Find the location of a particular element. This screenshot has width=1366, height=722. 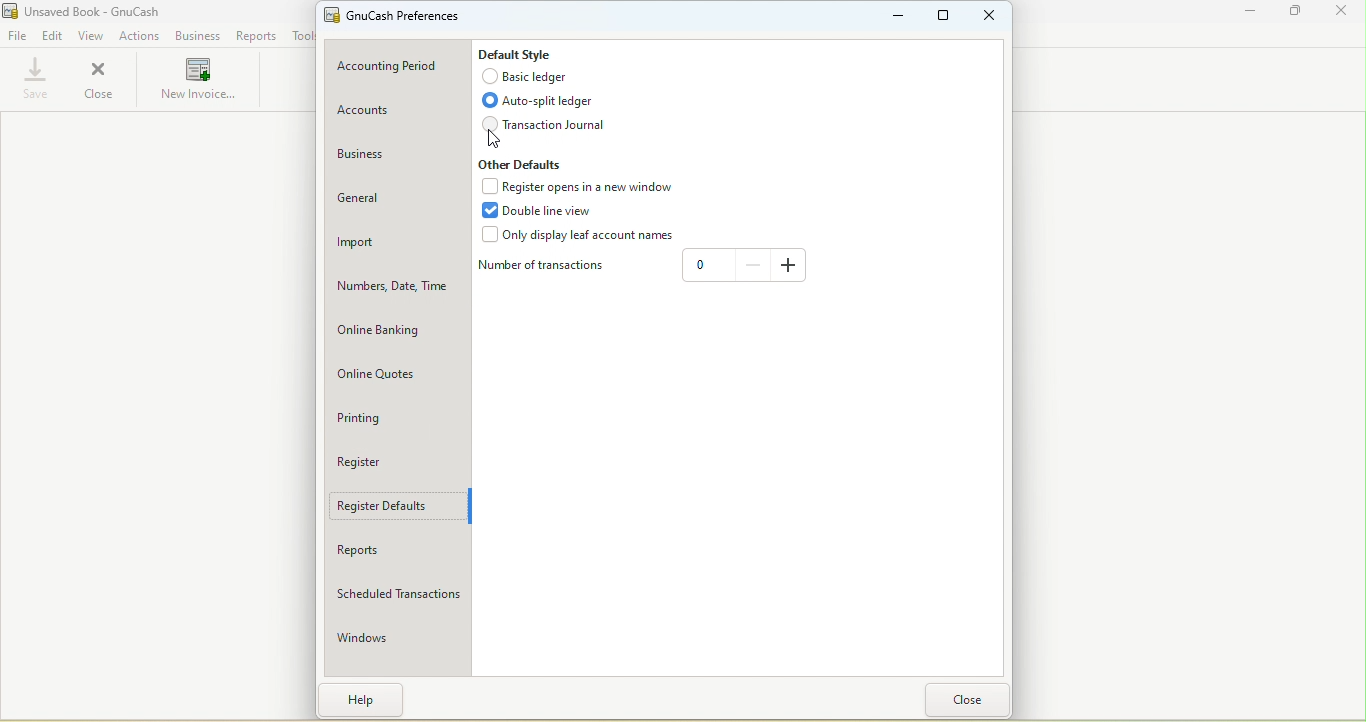

Windows is located at coordinates (399, 638).